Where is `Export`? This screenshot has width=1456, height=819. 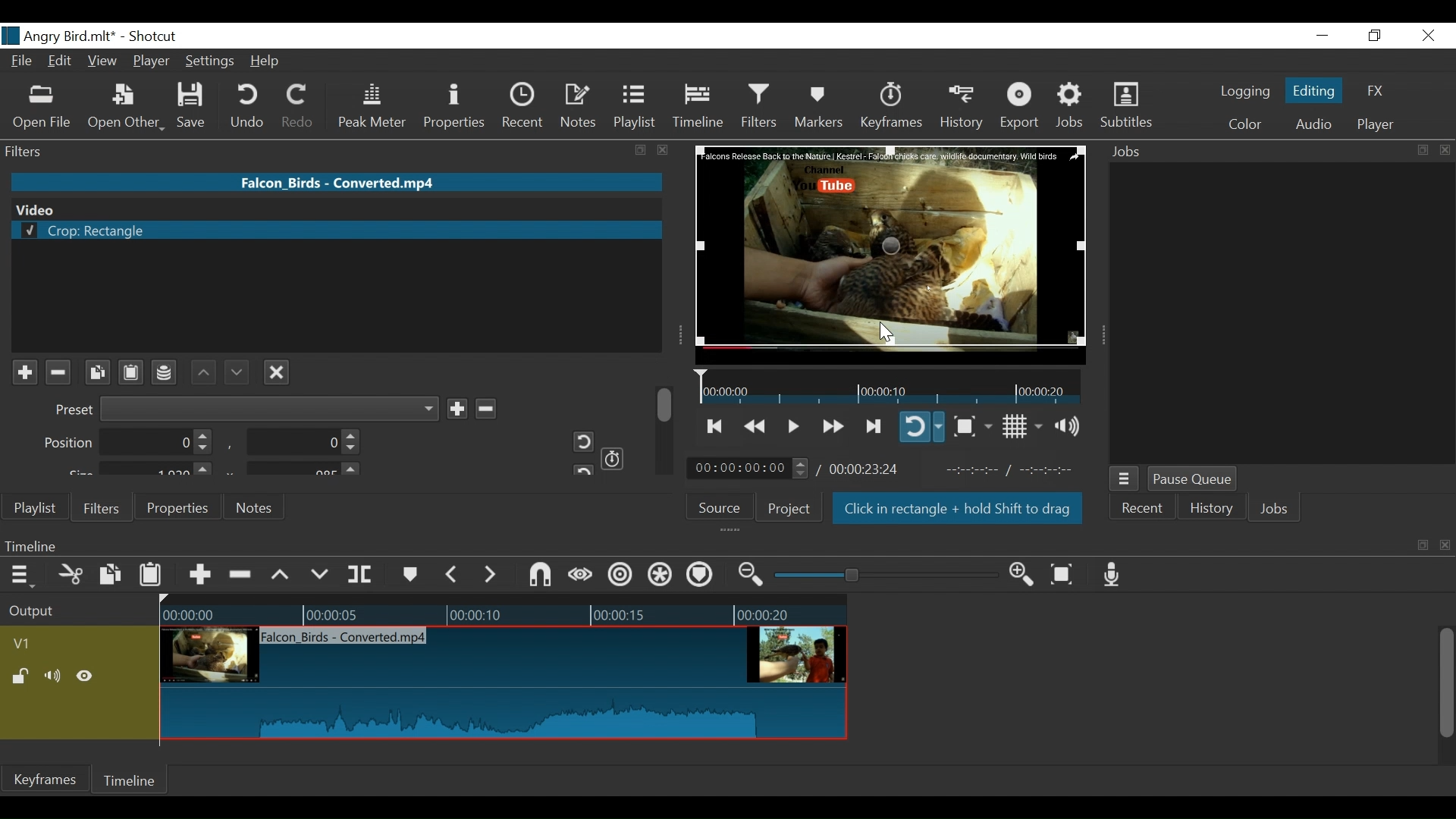
Export is located at coordinates (1020, 107).